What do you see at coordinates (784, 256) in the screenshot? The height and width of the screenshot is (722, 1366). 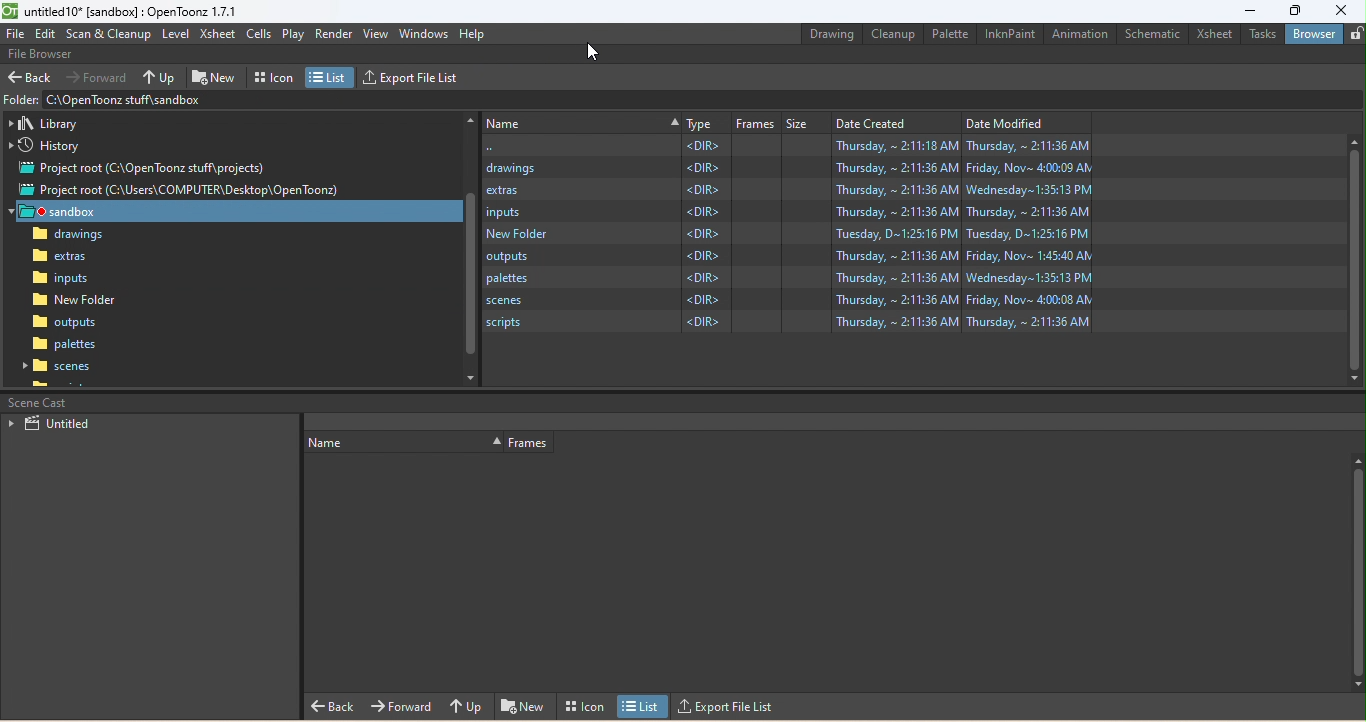 I see `palettes` at bounding box center [784, 256].